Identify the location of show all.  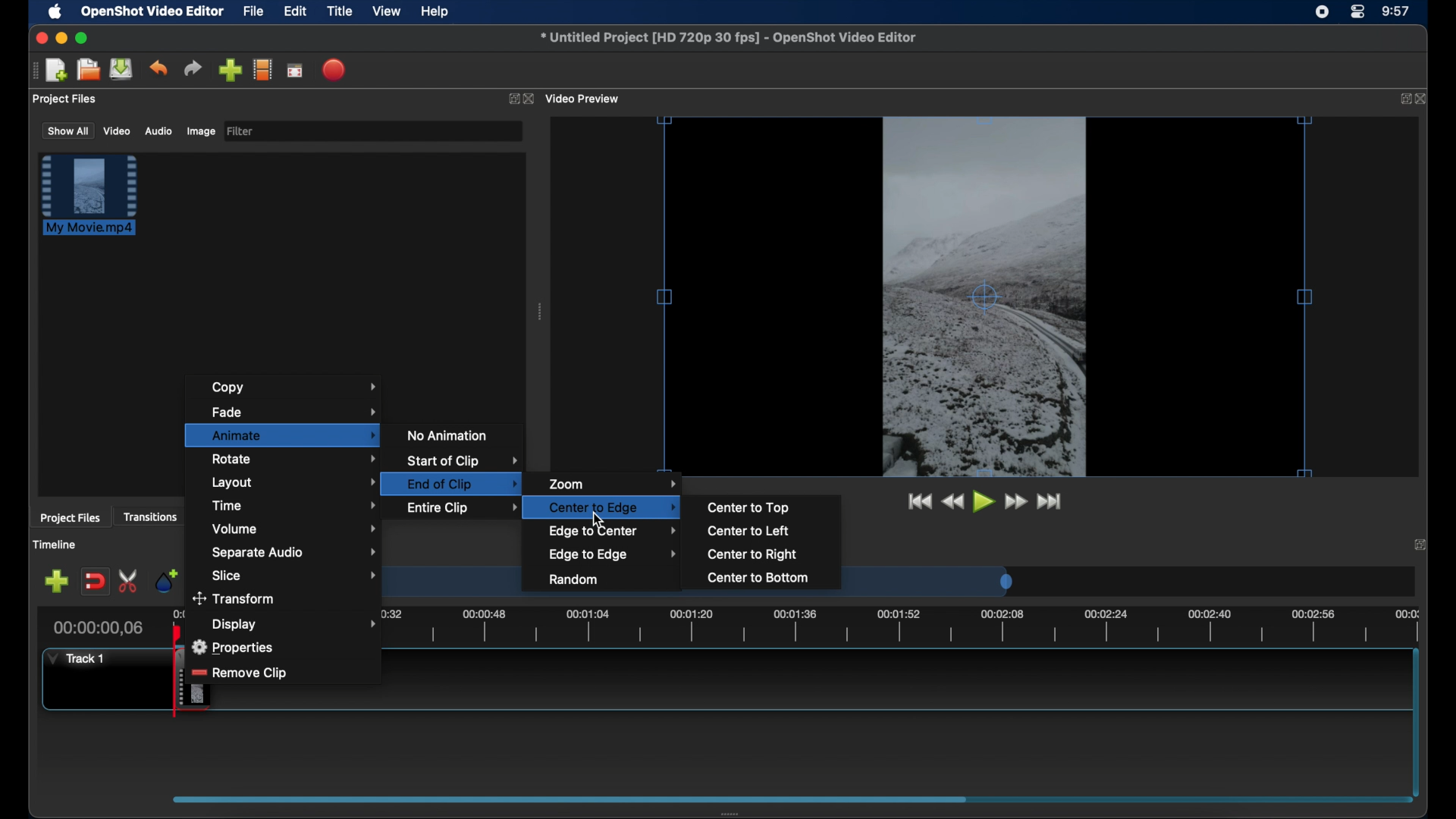
(67, 130).